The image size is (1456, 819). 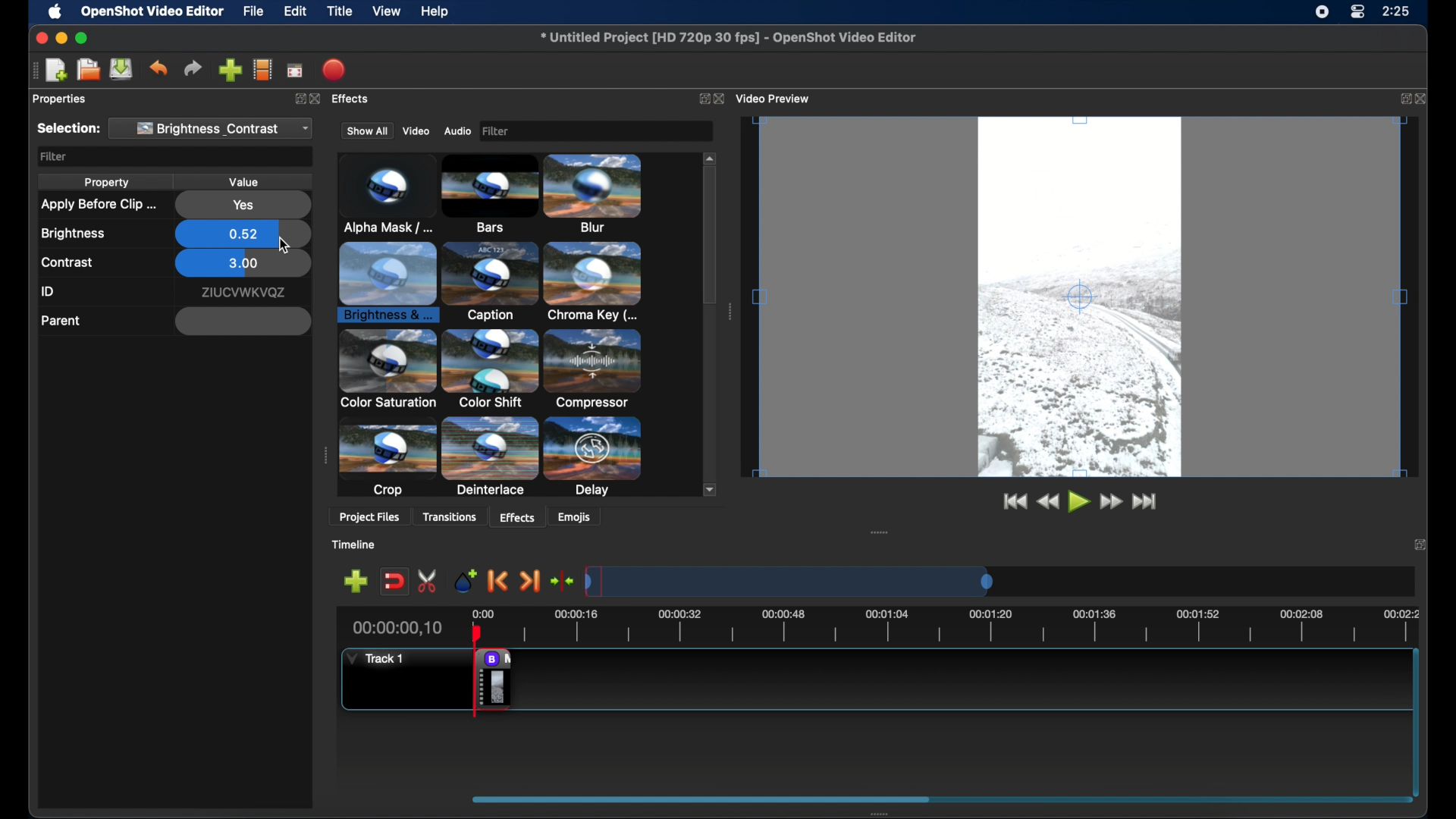 I want to click on drag handle, so click(x=324, y=456).